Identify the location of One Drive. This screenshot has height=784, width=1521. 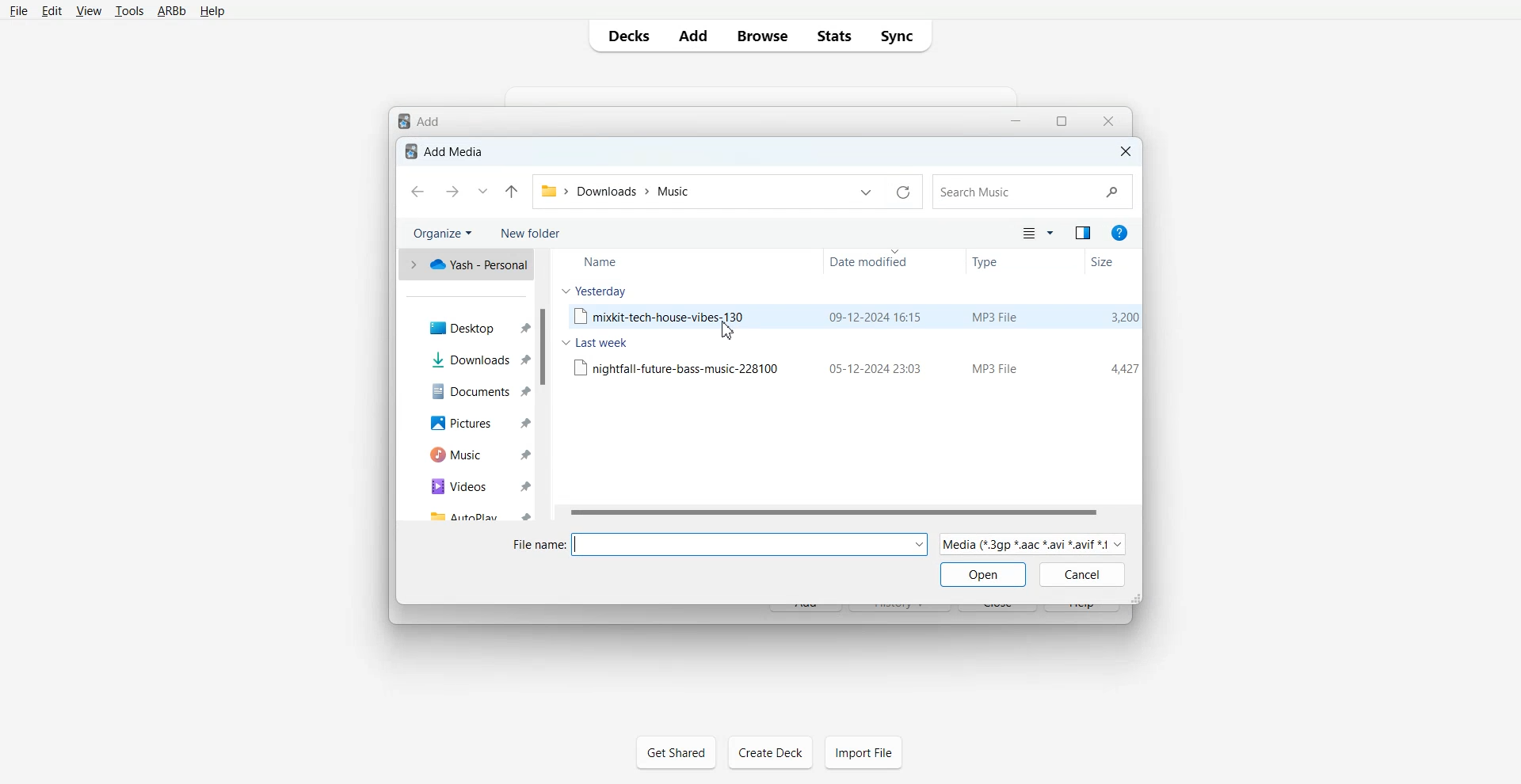
(466, 265).